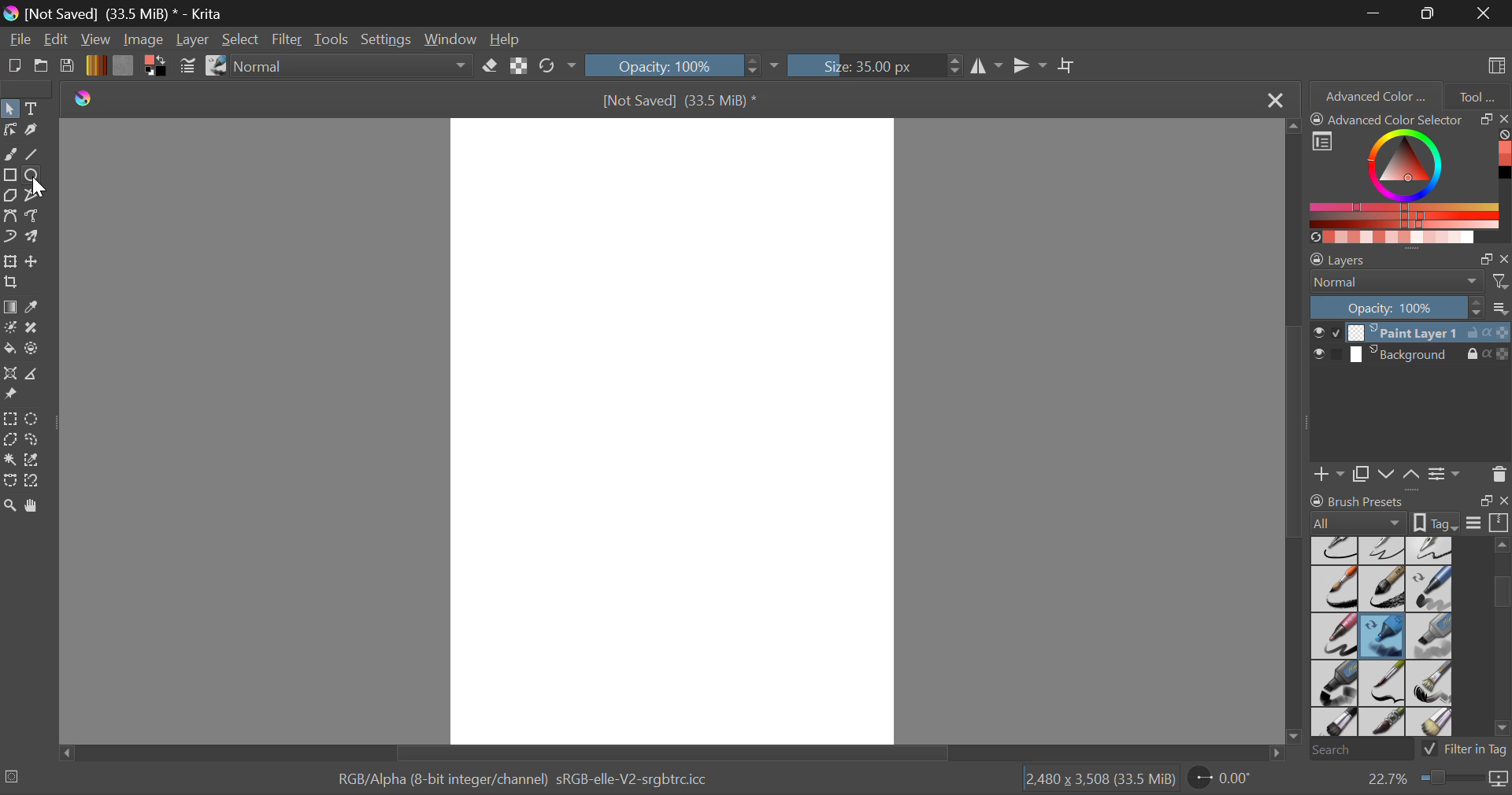  What do you see at coordinates (9, 481) in the screenshot?
I see `Bezier Curve Selection` at bounding box center [9, 481].